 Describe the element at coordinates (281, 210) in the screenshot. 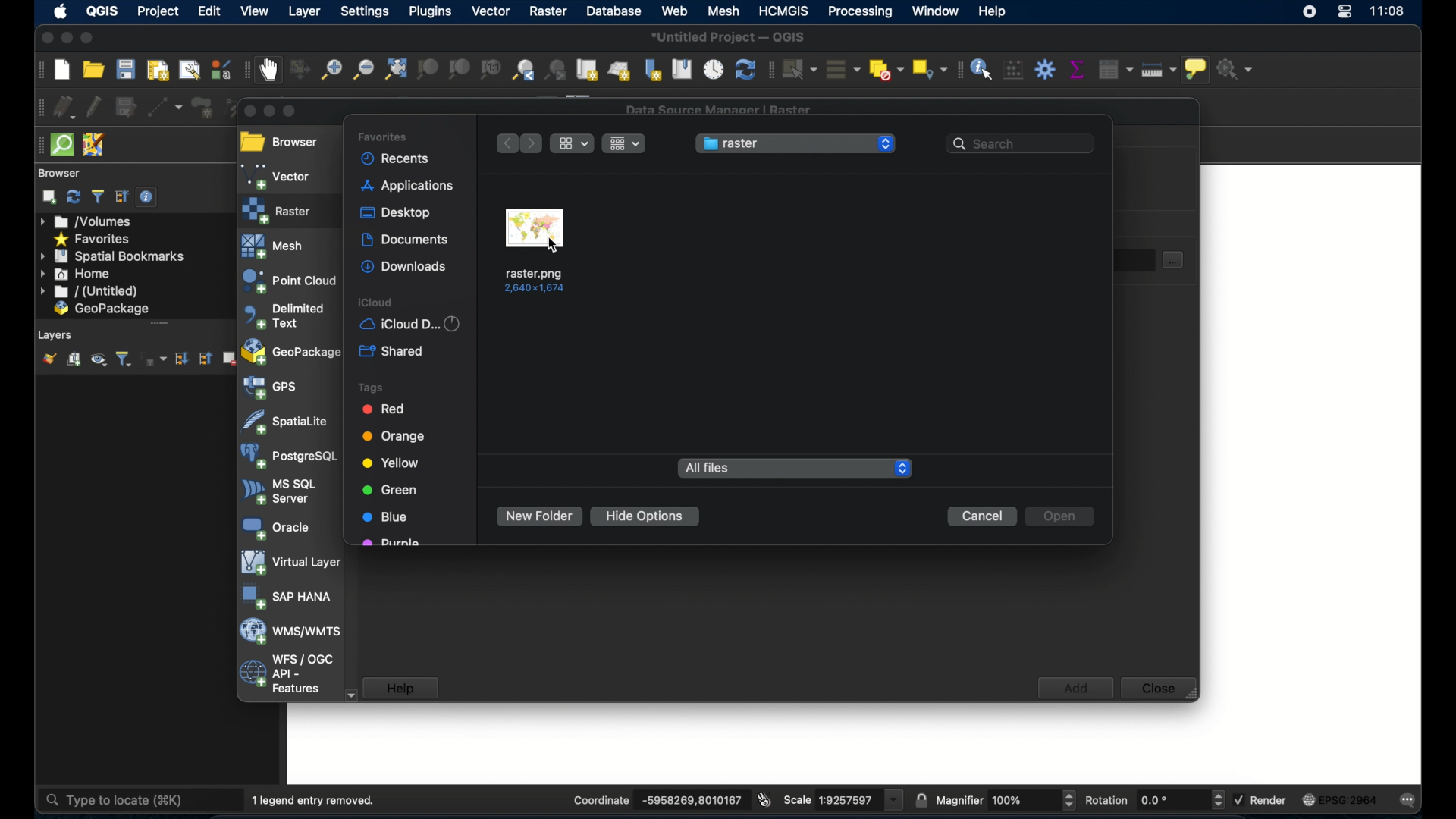

I see `raster` at that location.